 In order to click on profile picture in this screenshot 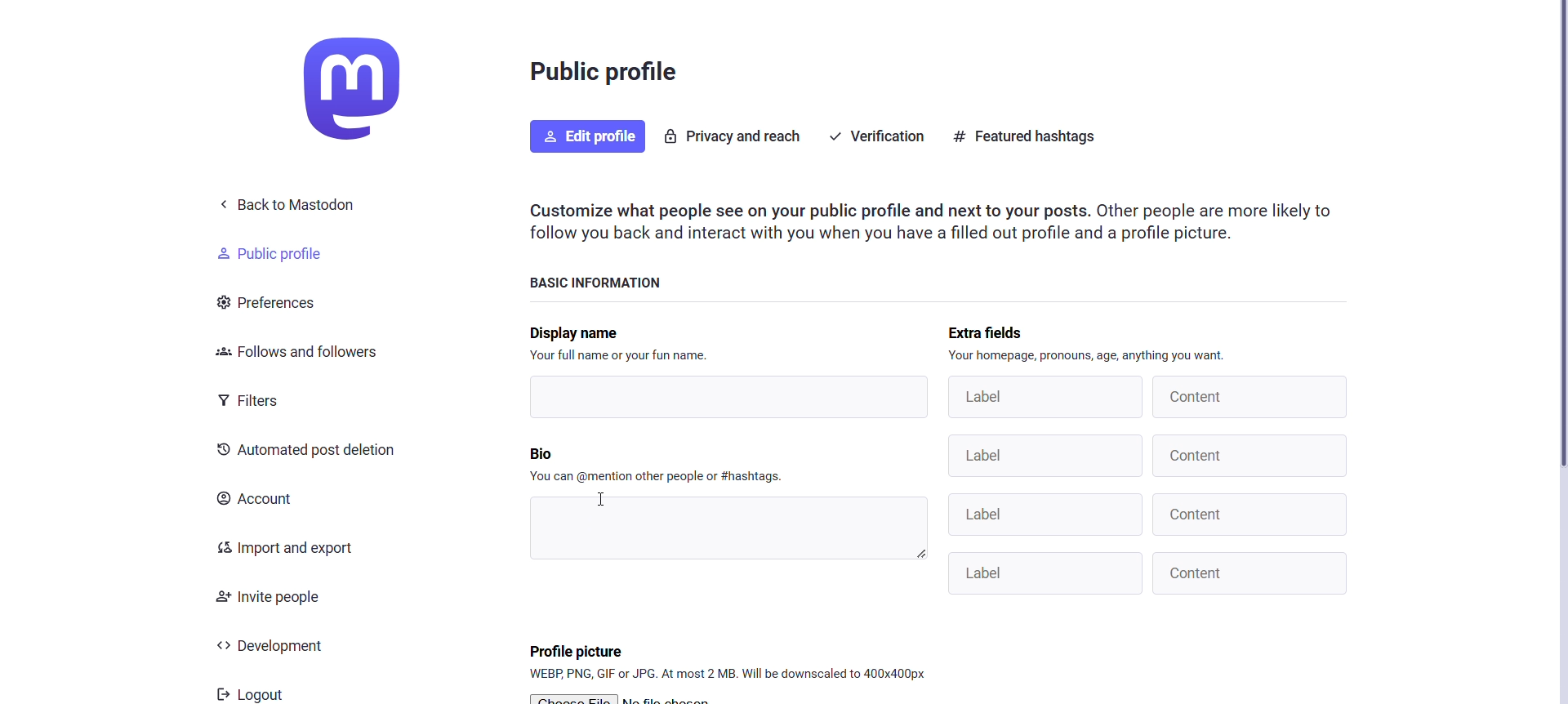, I will do `click(575, 649)`.